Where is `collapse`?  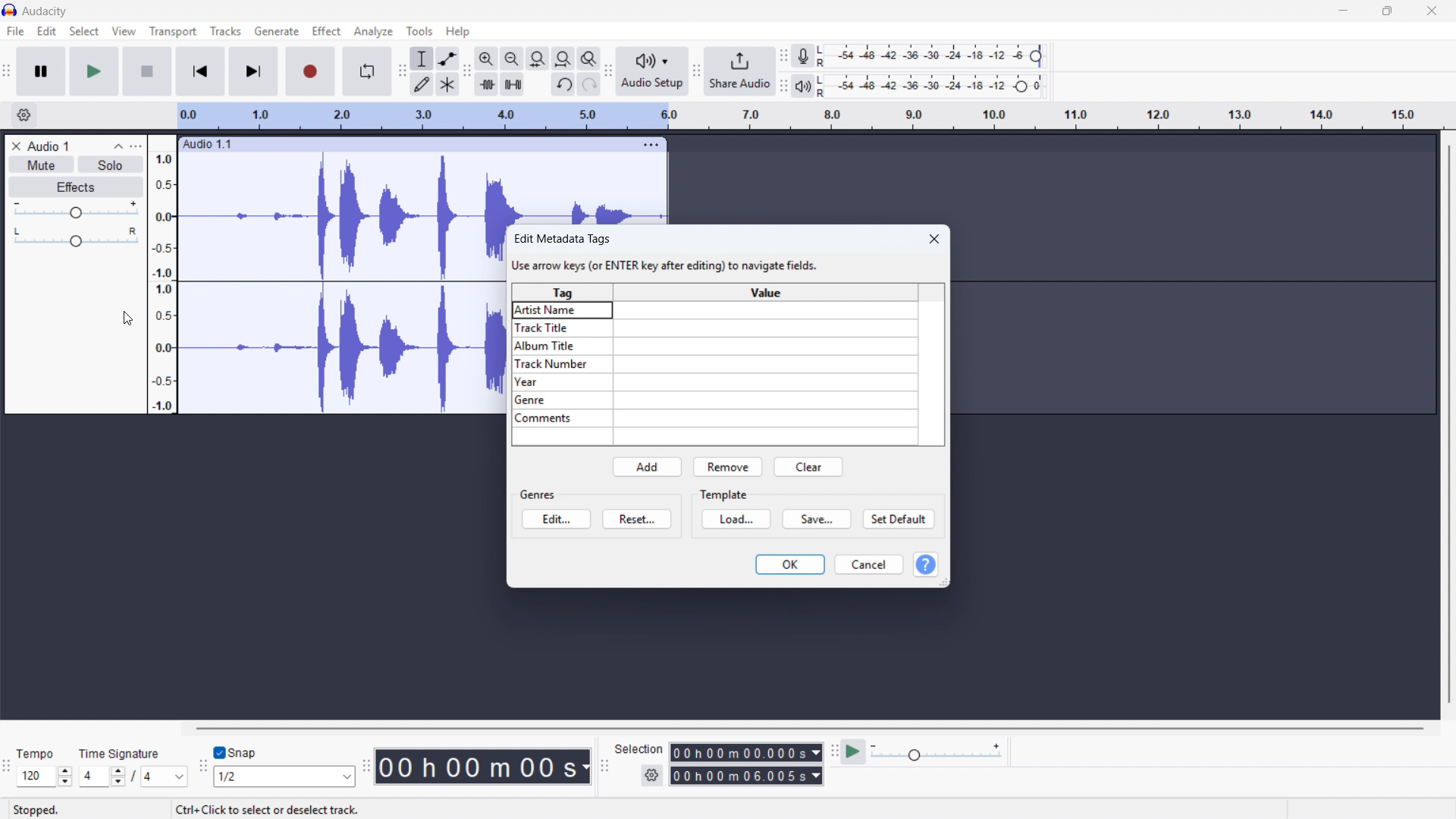 collapse is located at coordinates (118, 146).